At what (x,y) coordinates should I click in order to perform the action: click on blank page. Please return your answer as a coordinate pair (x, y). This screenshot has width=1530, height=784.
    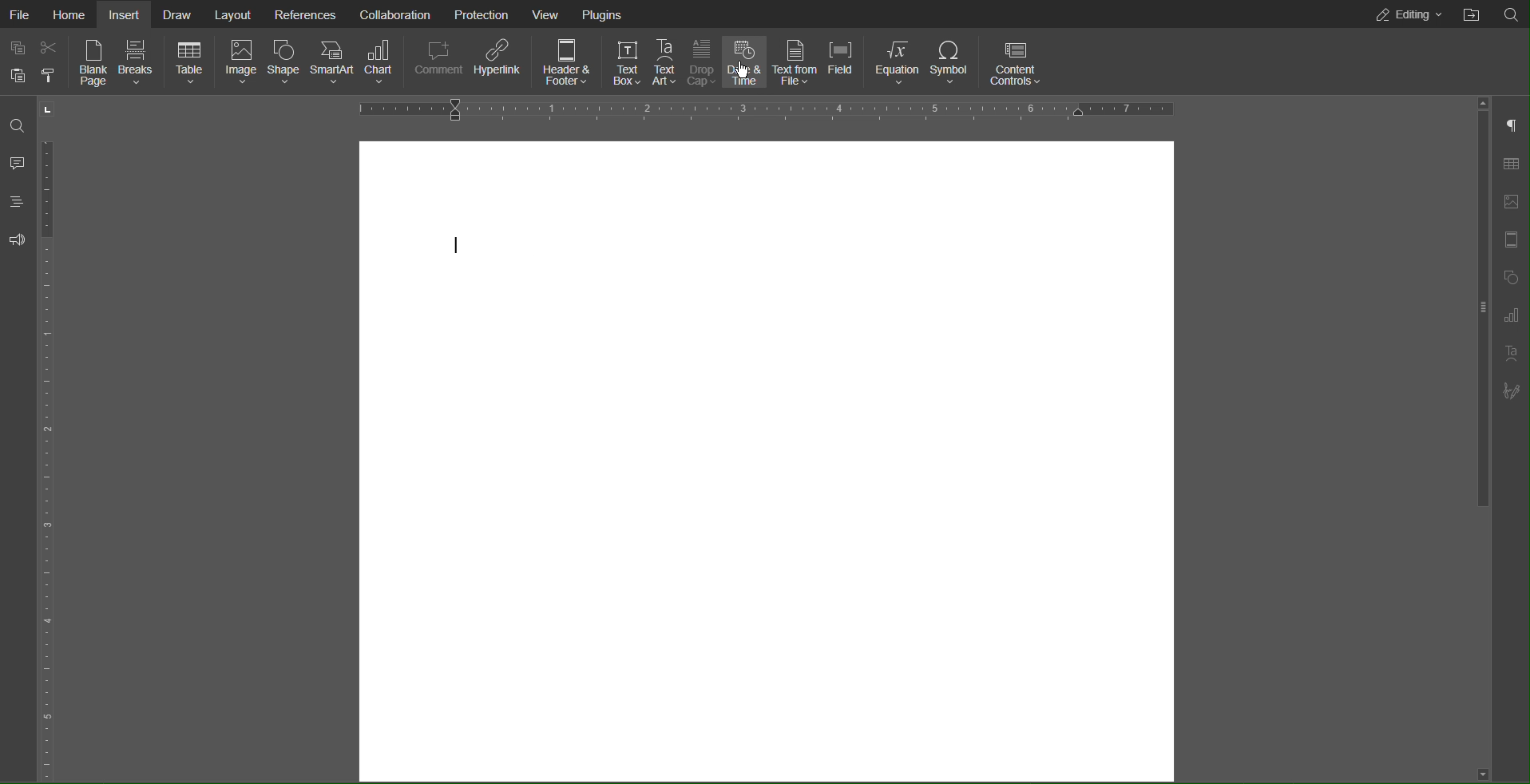
    Looking at the image, I should click on (767, 381).